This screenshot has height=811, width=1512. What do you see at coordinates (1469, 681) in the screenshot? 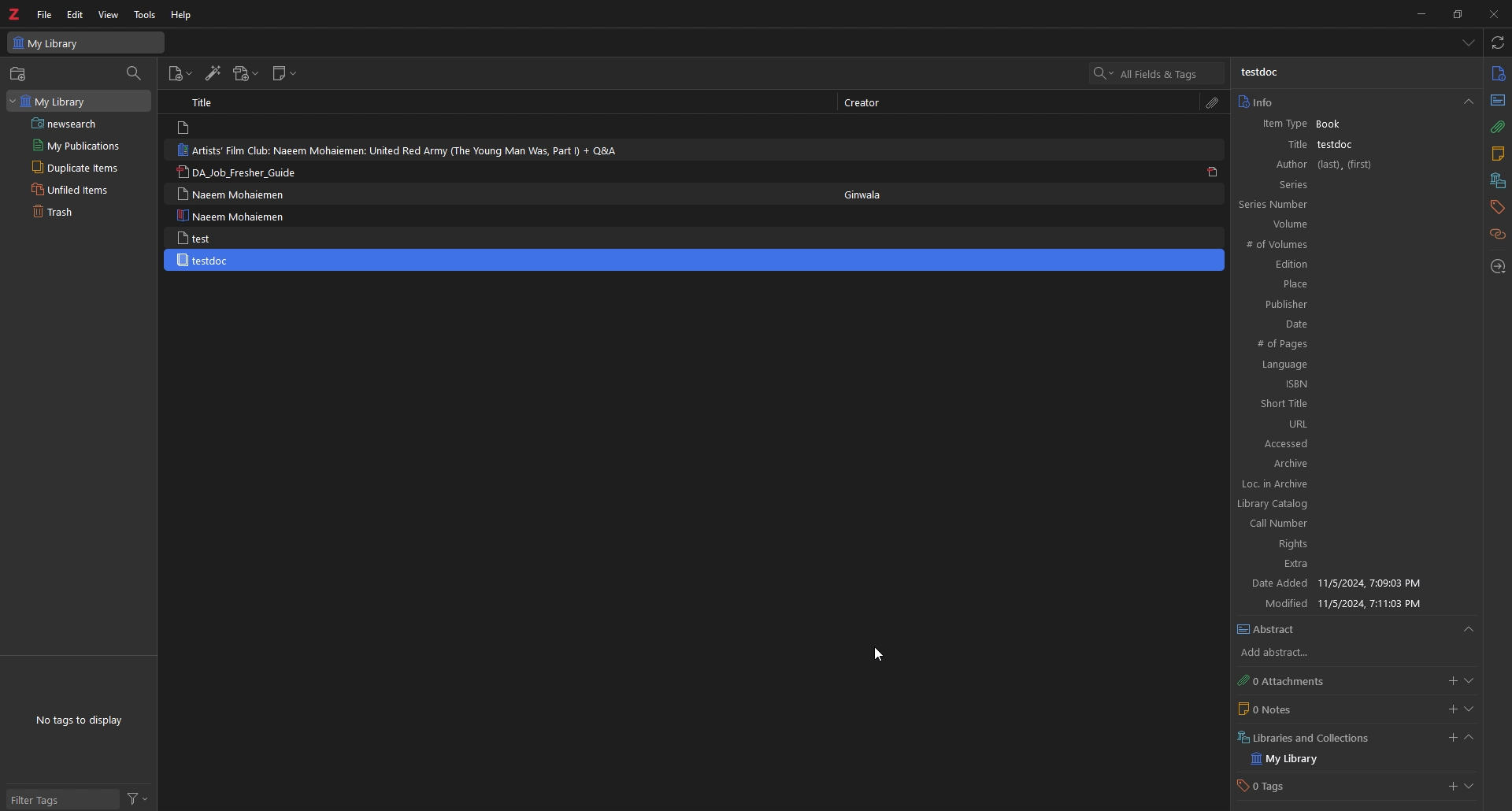
I see `show` at bounding box center [1469, 681].